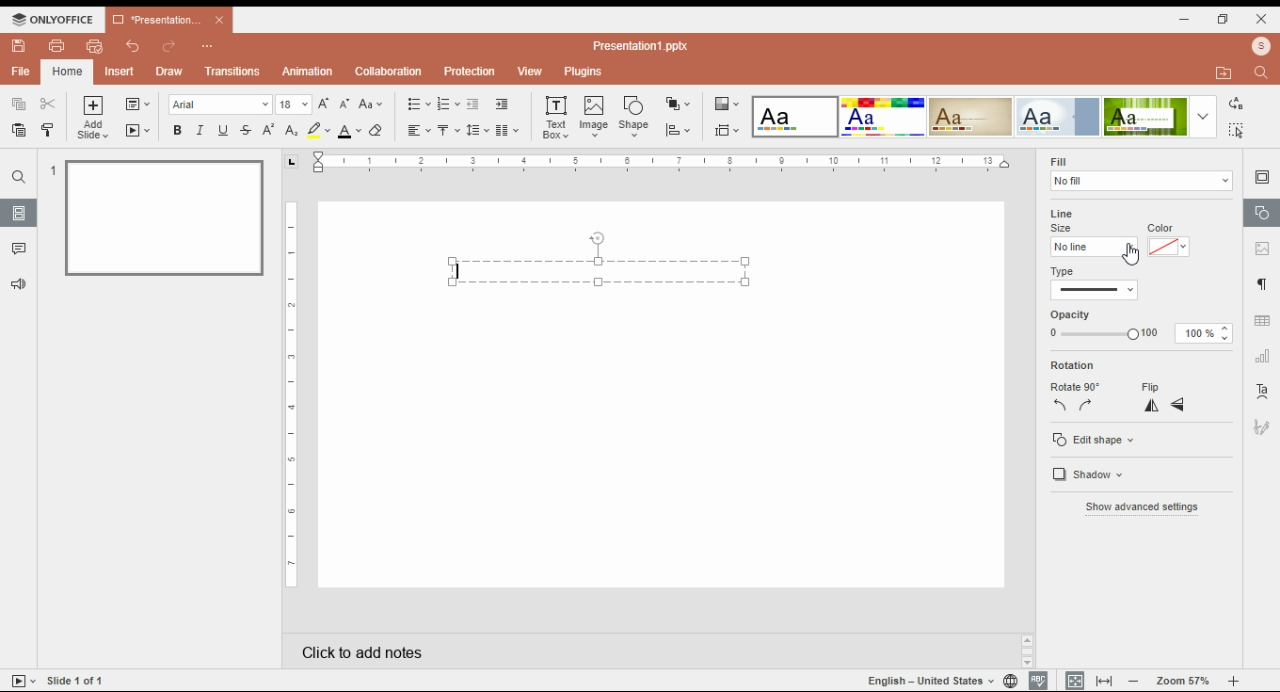 The width and height of the screenshot is (1280, 692). What do you see at coordinates (1075, 364) in the screenshot?
I see `rotation` at bounding box center [1075, 364].